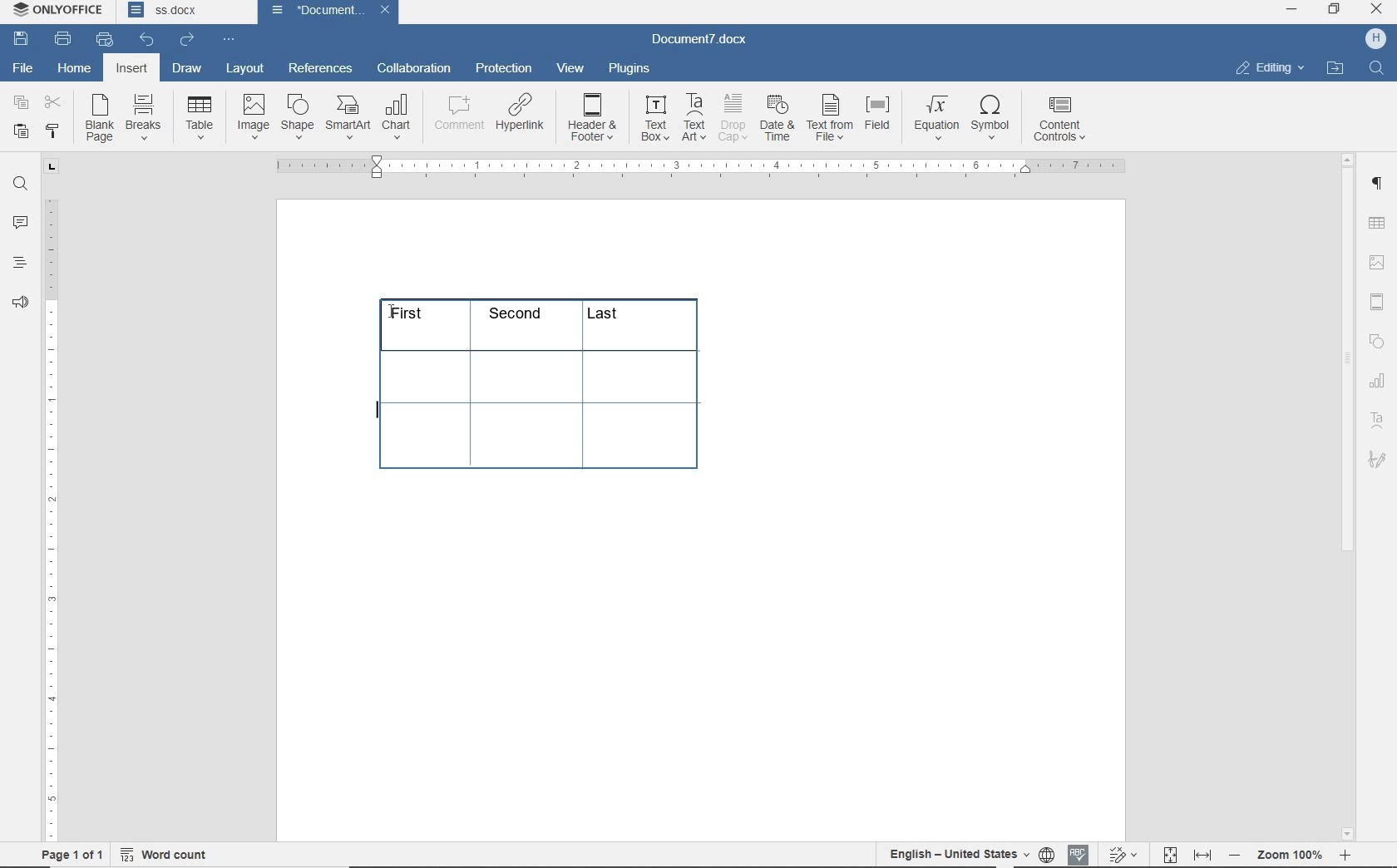 The width and height of the screenshot is (1397, 868). I want to click on plugins, so click(629, 67).